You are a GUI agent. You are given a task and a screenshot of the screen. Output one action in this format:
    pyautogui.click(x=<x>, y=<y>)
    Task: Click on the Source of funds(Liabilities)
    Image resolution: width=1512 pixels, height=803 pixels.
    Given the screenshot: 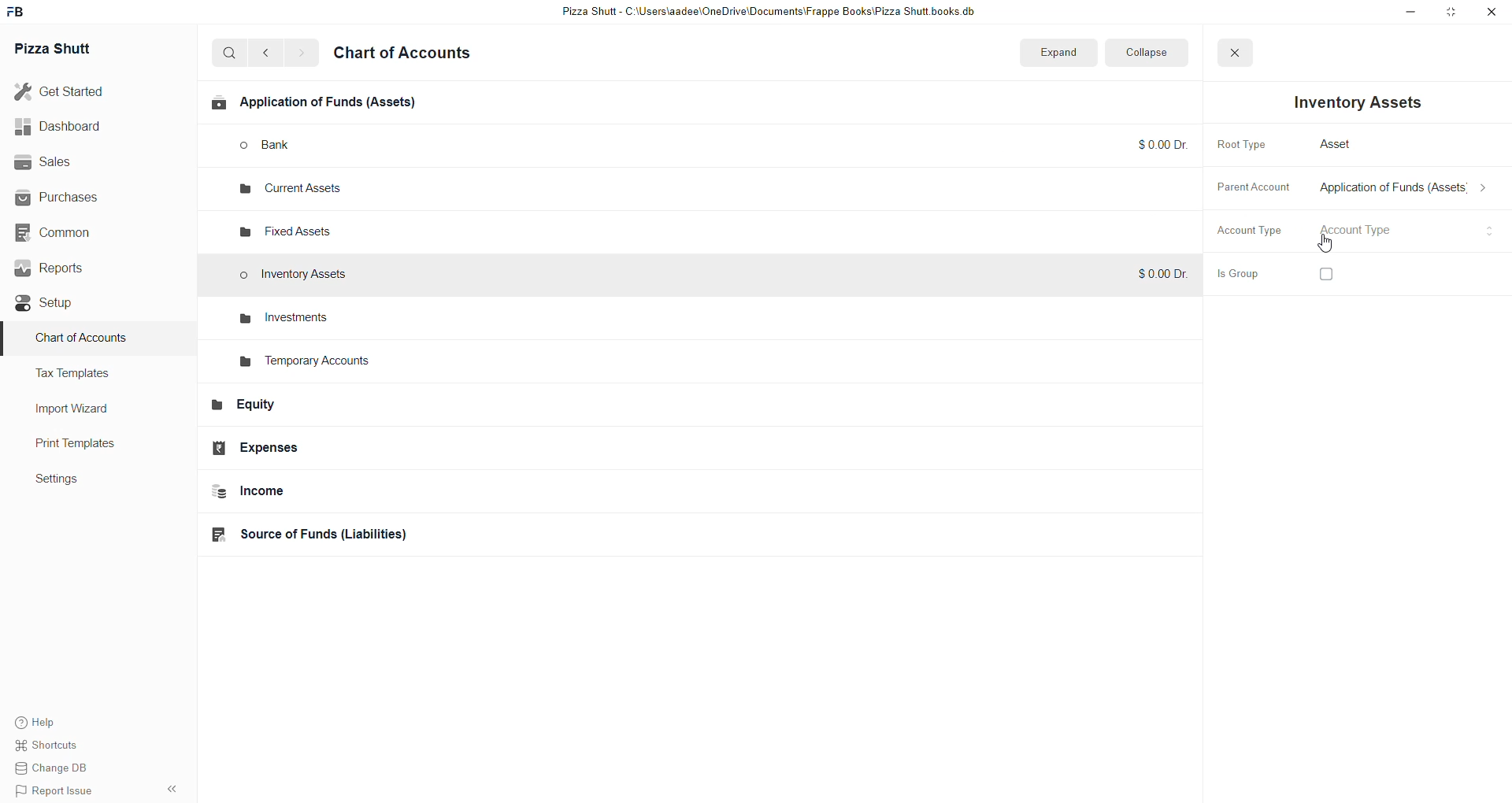 What is the action you would take?
    pyautogui.click(x=329, y=534)
    